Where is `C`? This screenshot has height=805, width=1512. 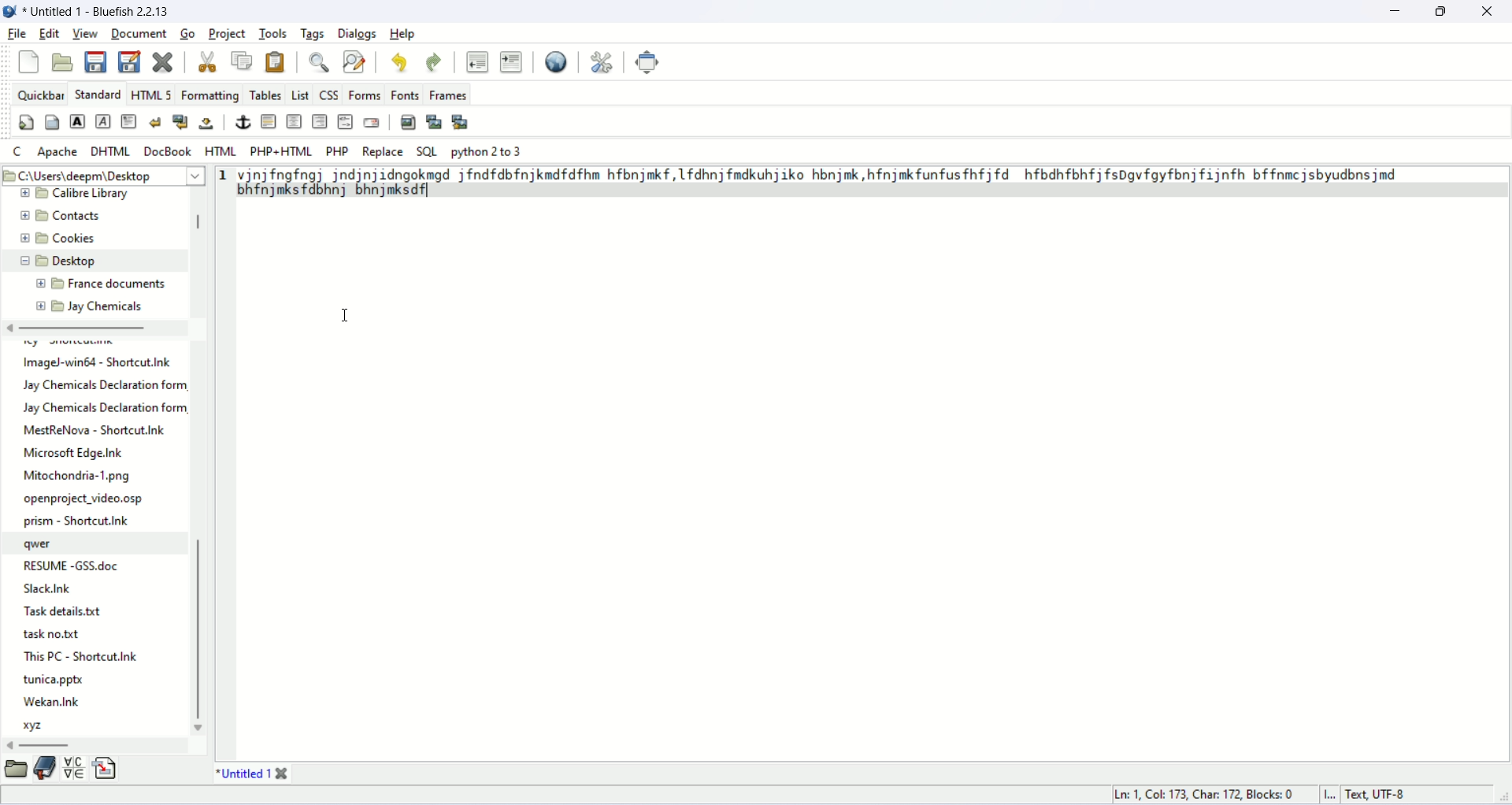 C is located at coordinates (17, 151).